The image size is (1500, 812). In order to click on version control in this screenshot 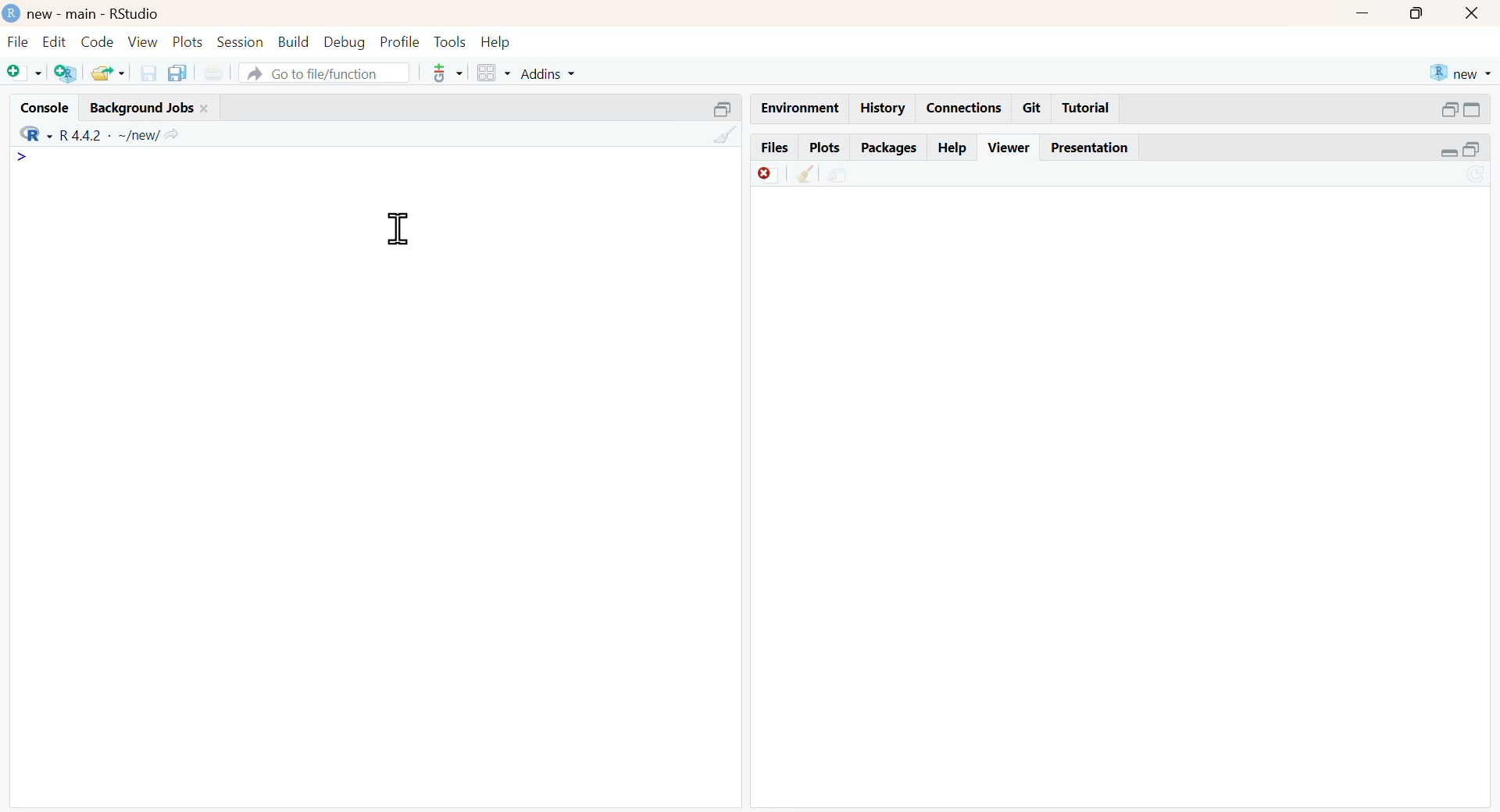, I will do `click(444, 73)`.